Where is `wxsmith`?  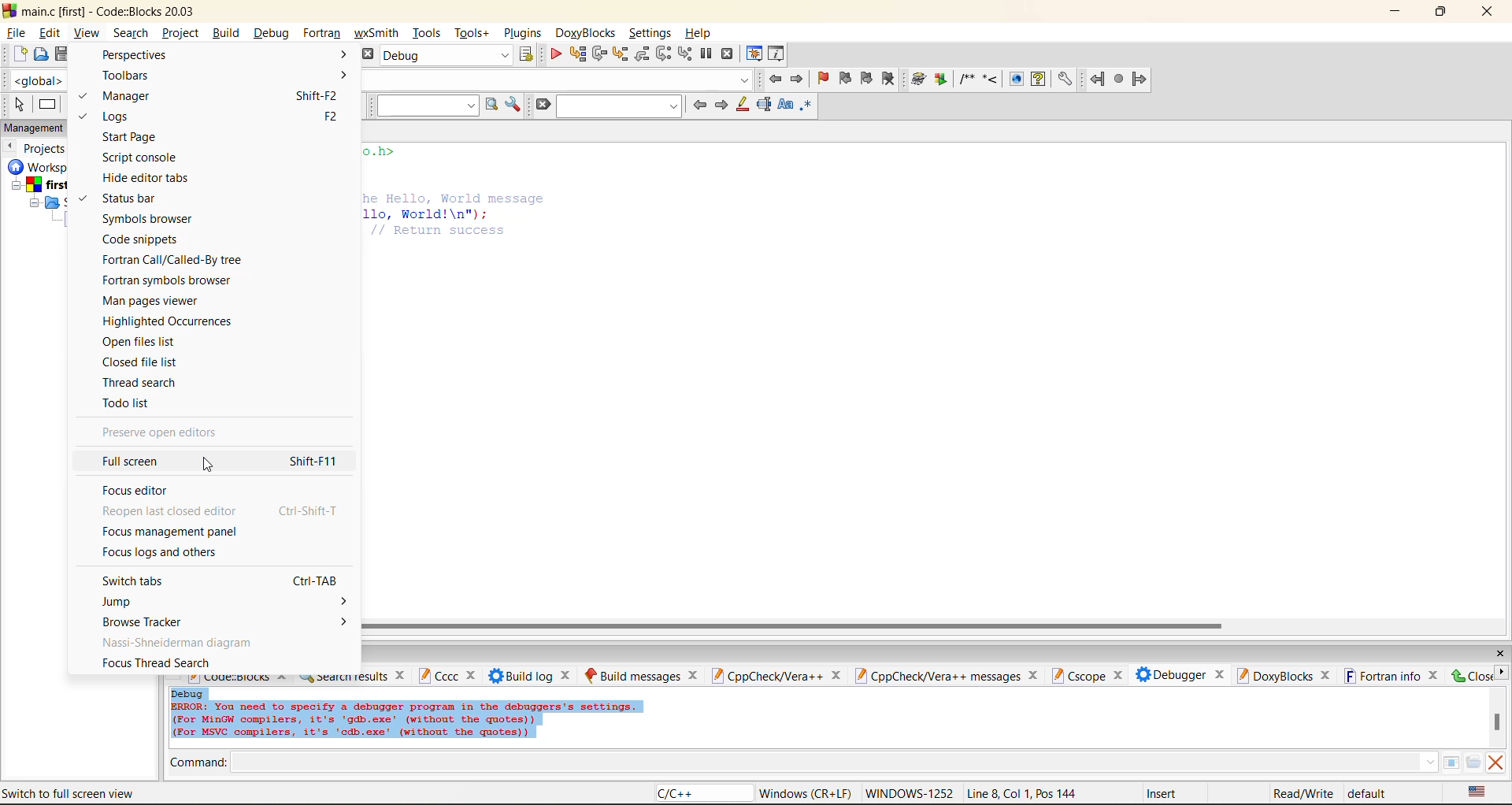
wxsmith is located at coordinates (376, 33).